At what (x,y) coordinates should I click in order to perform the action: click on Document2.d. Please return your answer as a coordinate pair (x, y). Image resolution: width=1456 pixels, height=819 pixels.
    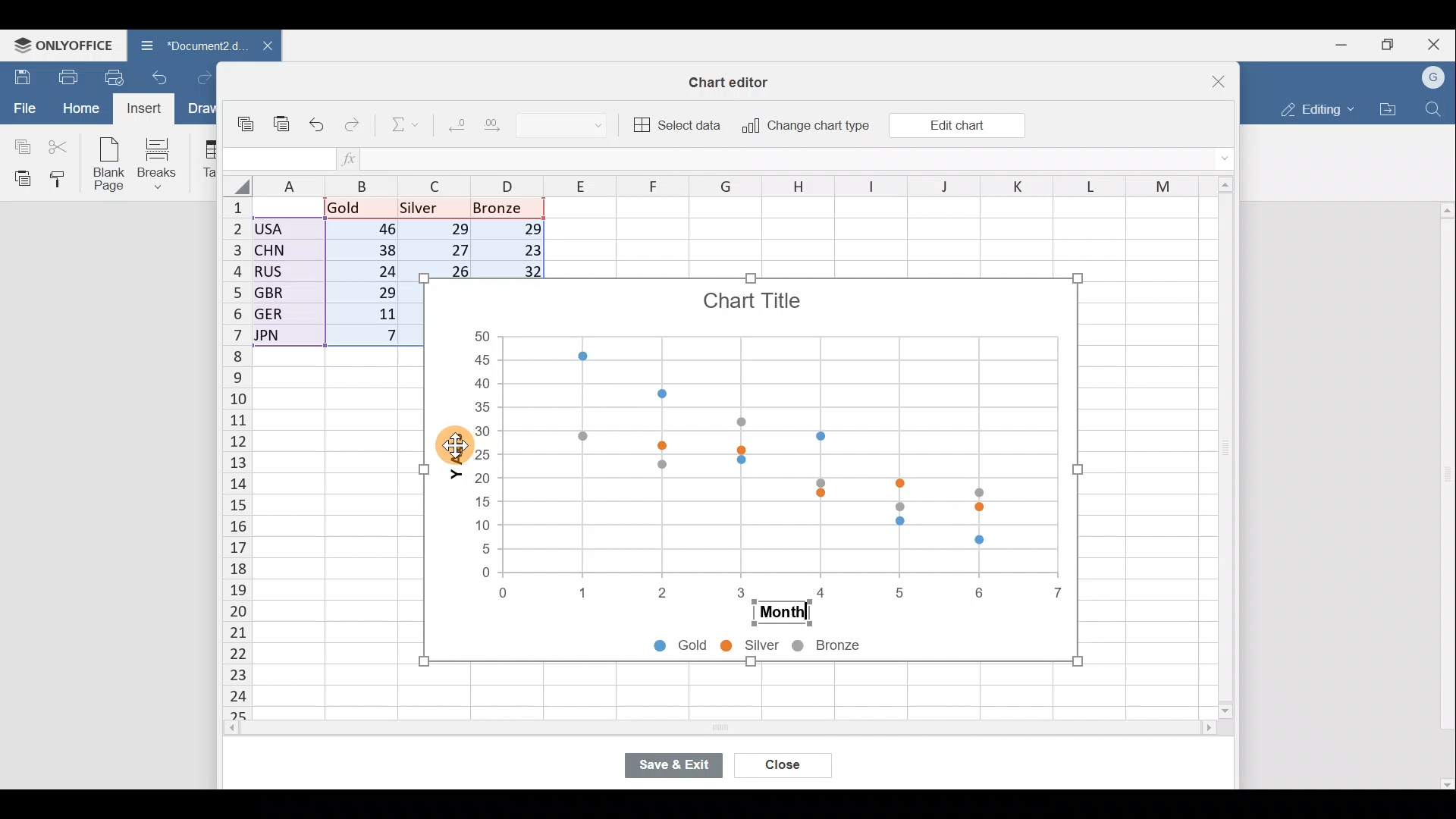
    Looking at the image, I should click on (183, 45).